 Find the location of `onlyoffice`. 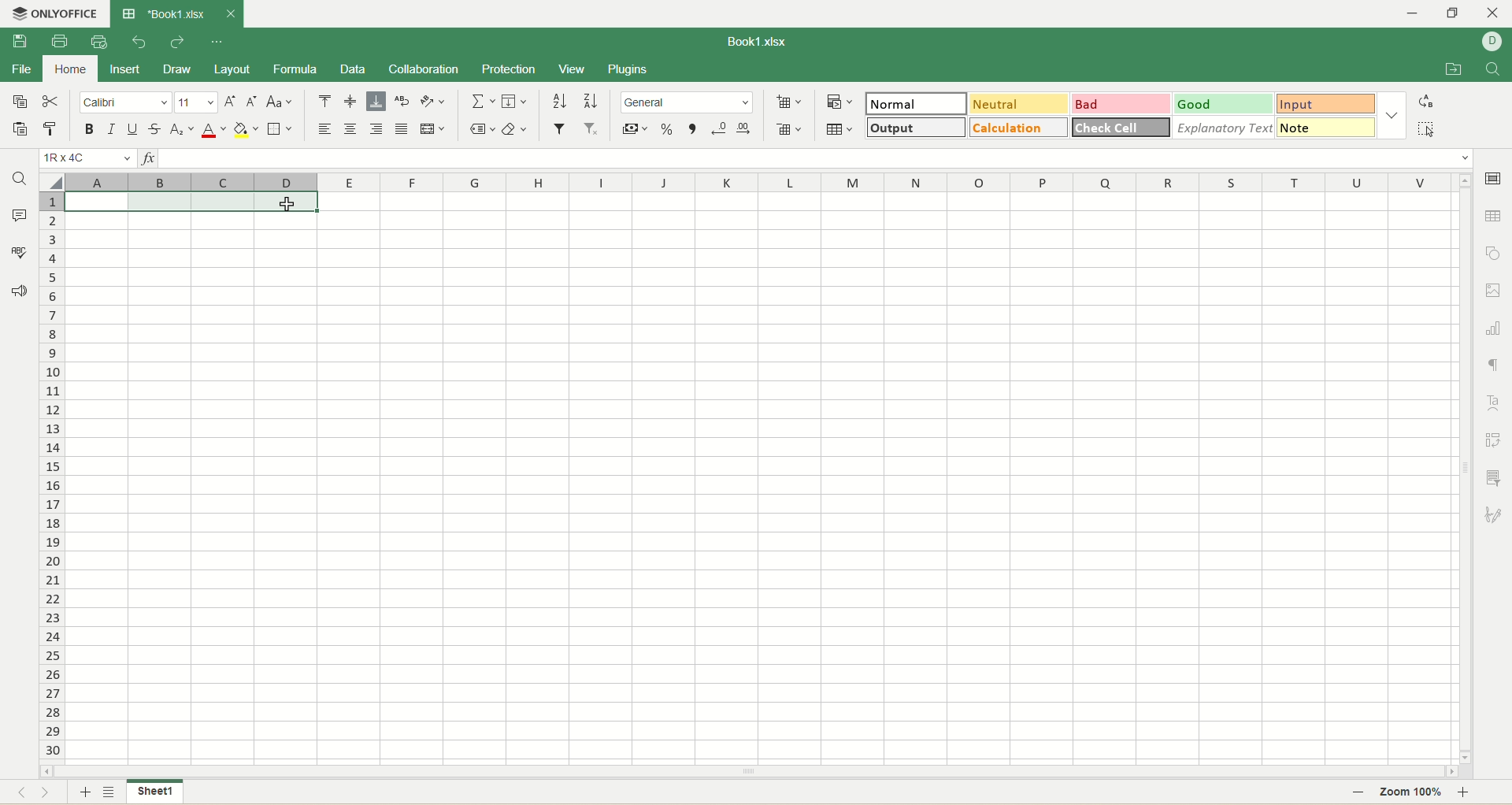

onlyoffice is located at coordinates (55, 14).